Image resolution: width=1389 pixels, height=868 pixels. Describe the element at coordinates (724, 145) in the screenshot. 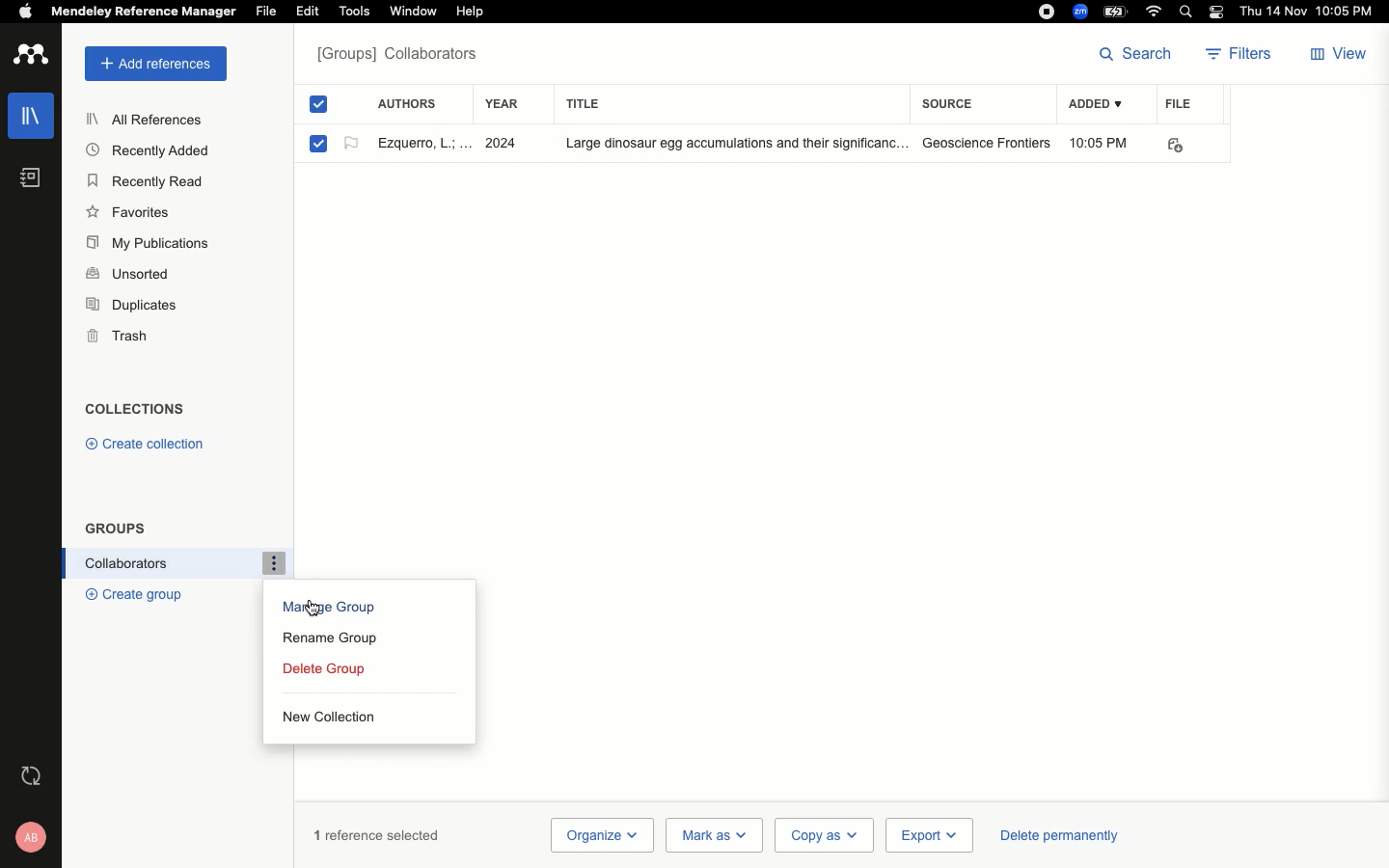

I see `large dinosour egg accy=umulations and thier significances` at that location.